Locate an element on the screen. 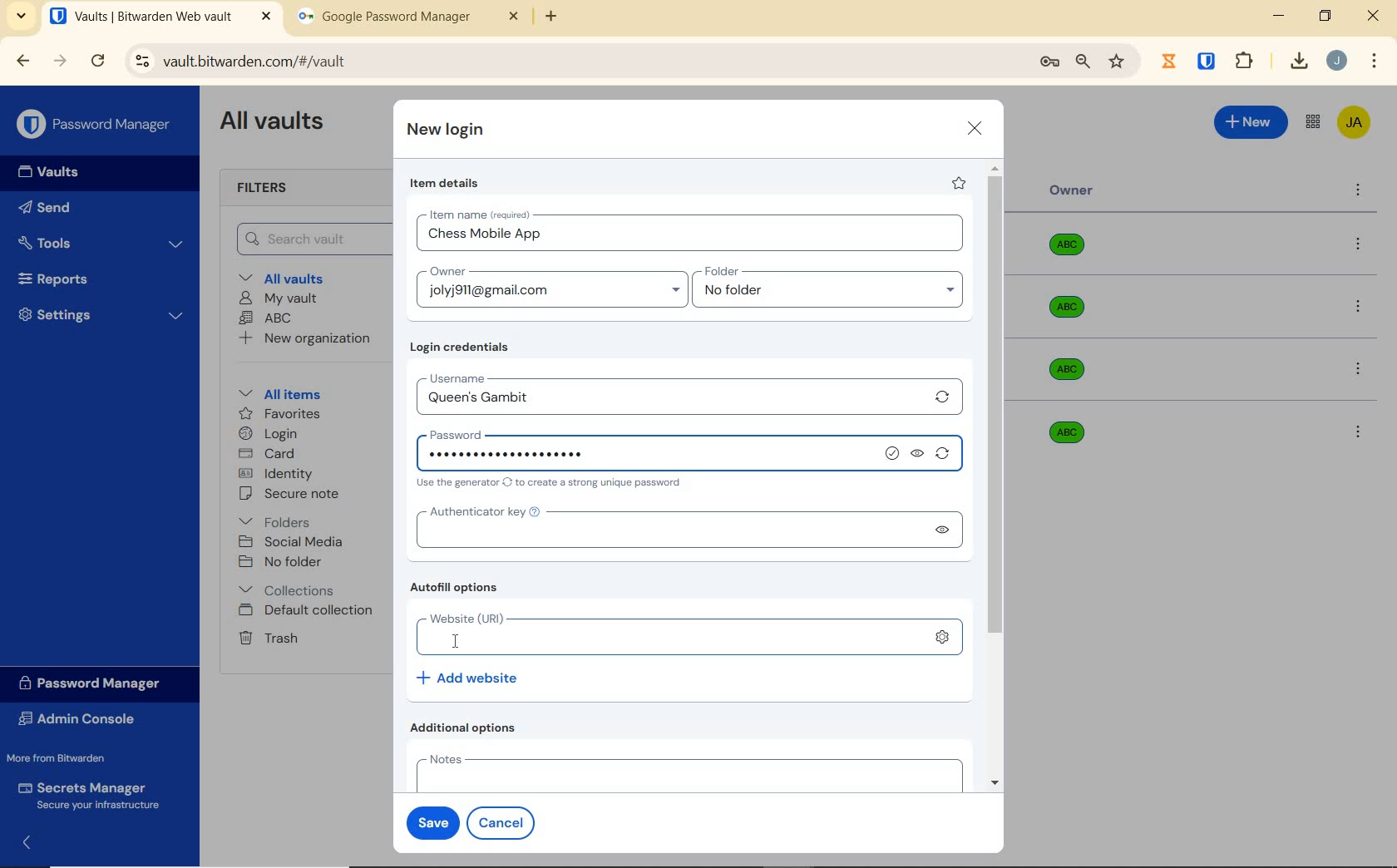 The image size is (1397, 868). close is located at coordinates (975, 128).